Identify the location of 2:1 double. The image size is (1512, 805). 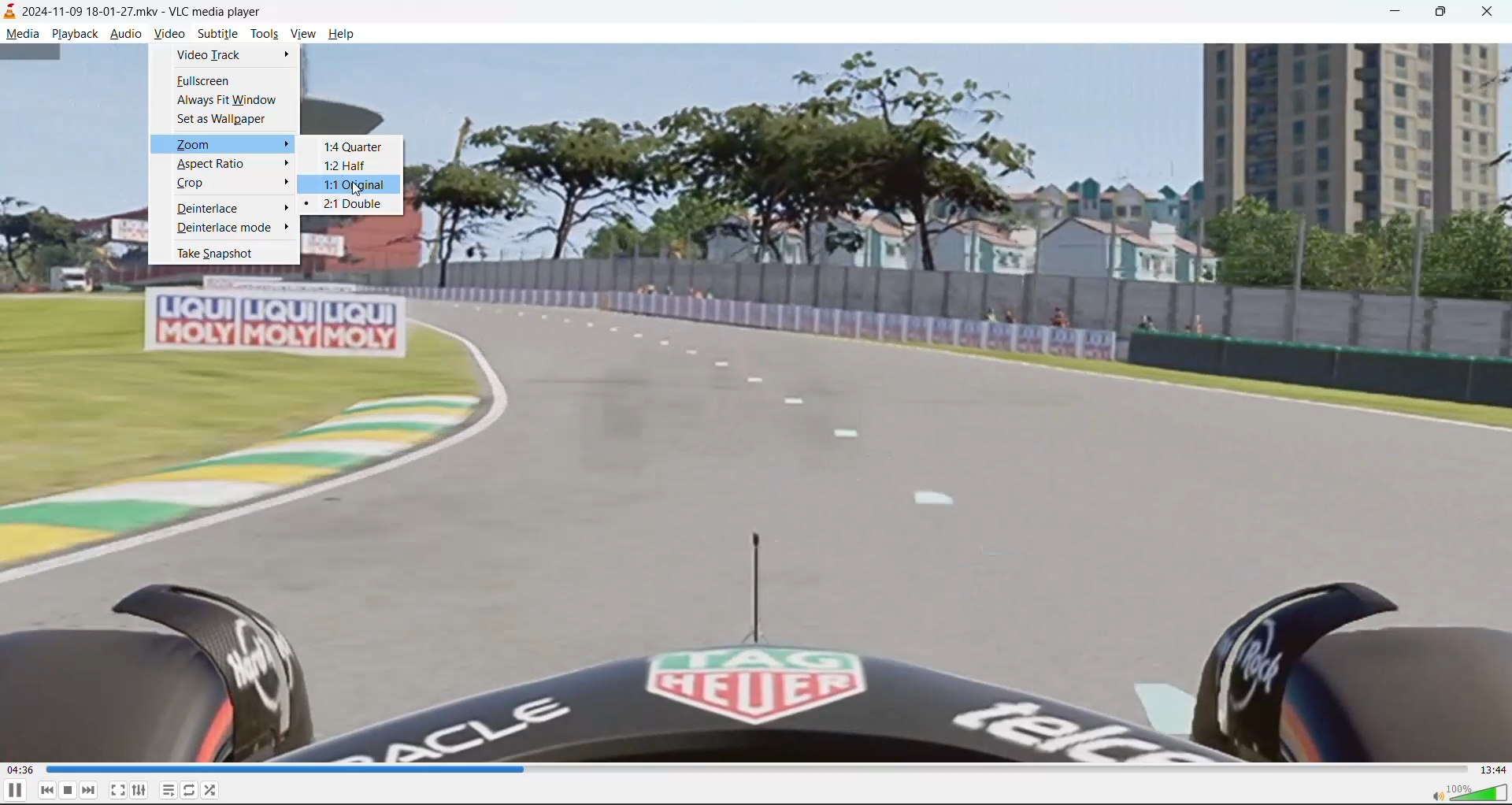
(350, 205).